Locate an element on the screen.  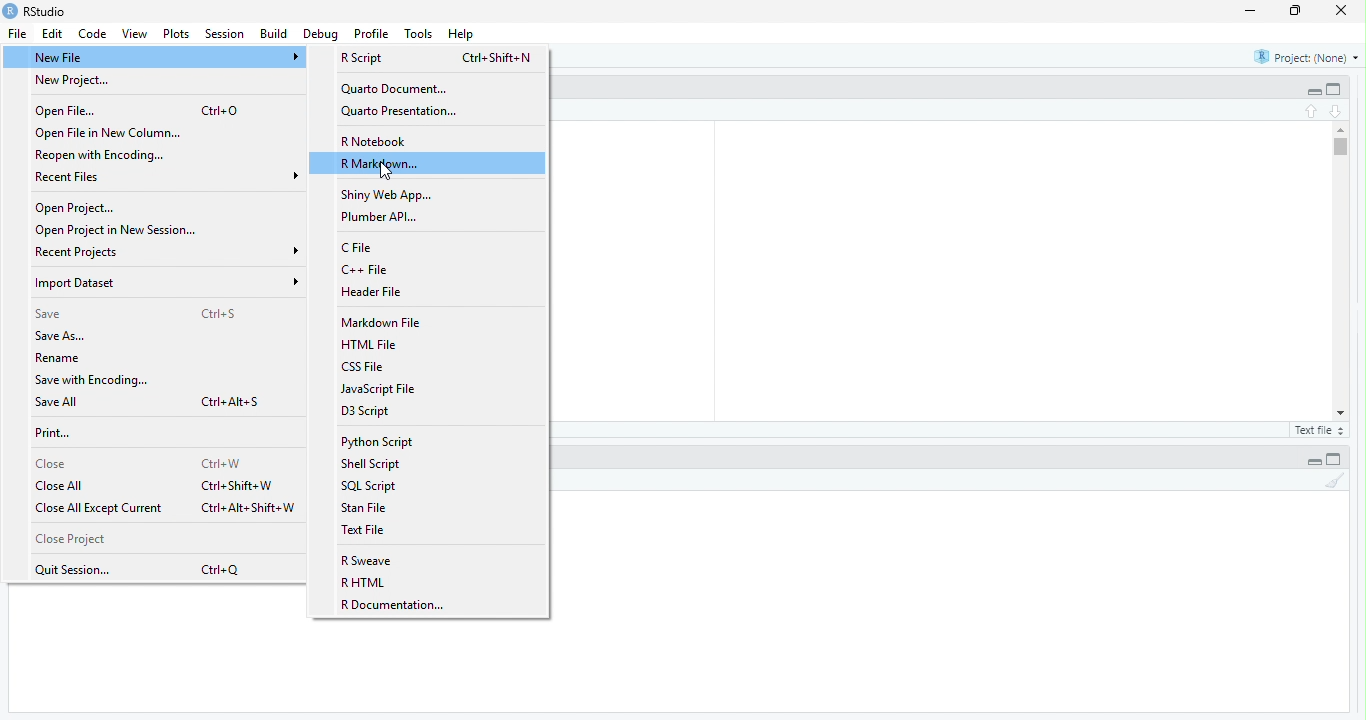
Ctrl+0O is located at coordinates (221, 111).